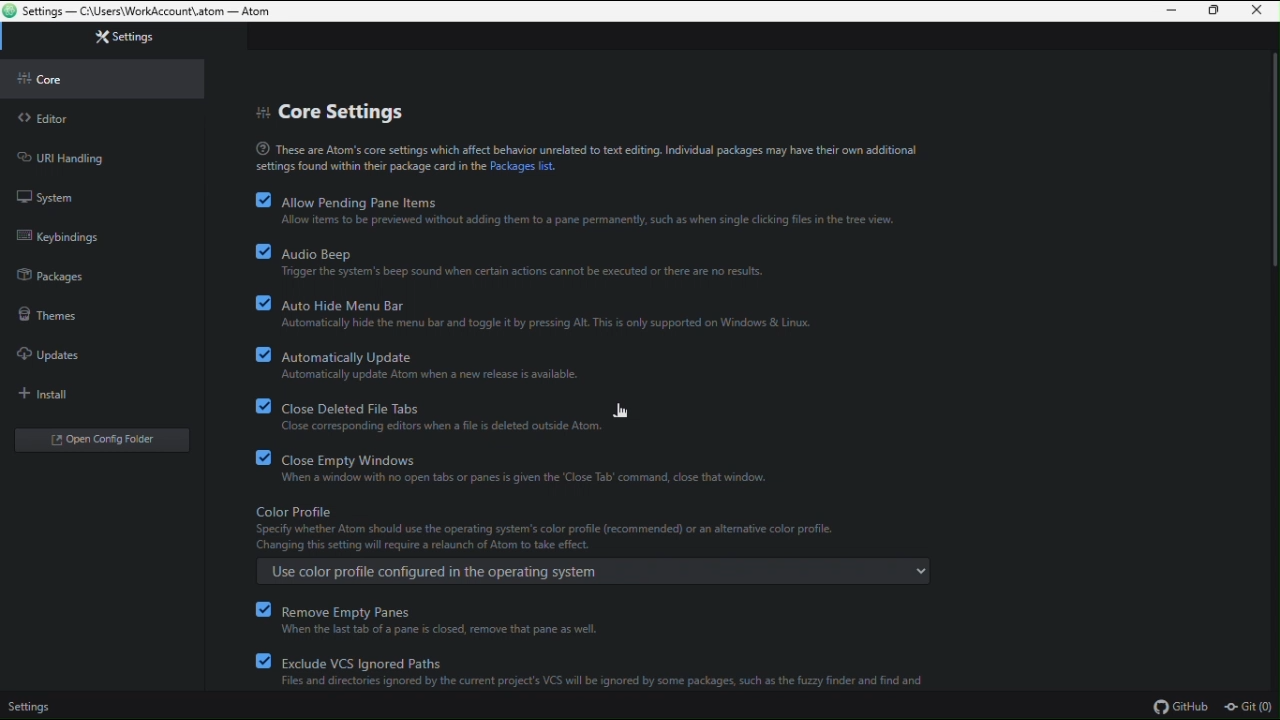 The width and height of the screenshot is (1280, 720). I want to click on Close deleted file tabs, so click(464, 414).